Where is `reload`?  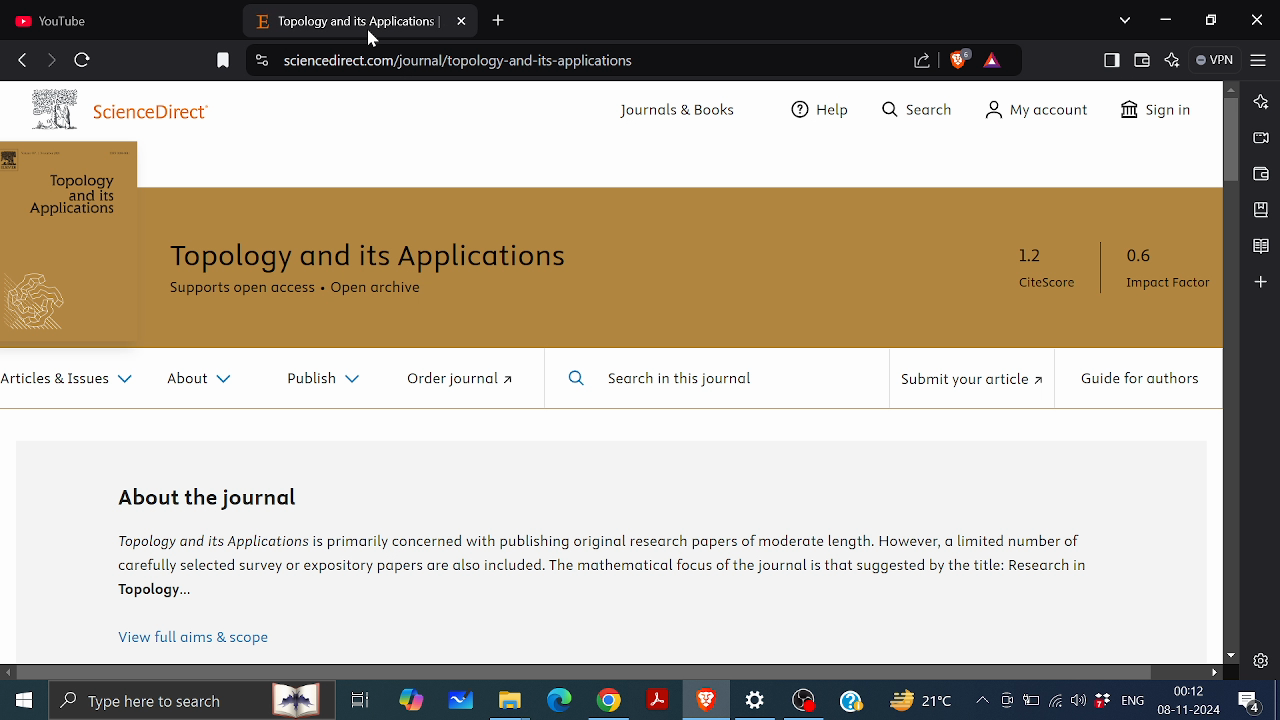 reload is located at coordinates (82, 60).